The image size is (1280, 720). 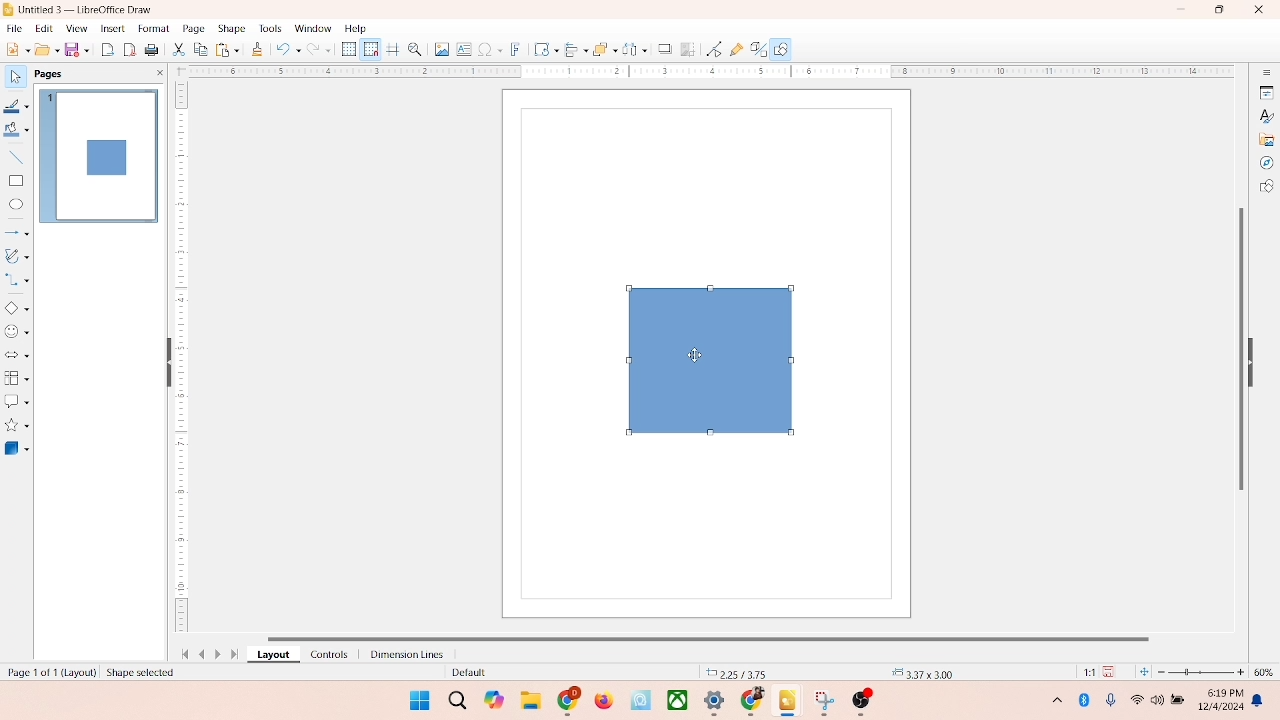 I want to click on styles, so click(x=1265, y=115).